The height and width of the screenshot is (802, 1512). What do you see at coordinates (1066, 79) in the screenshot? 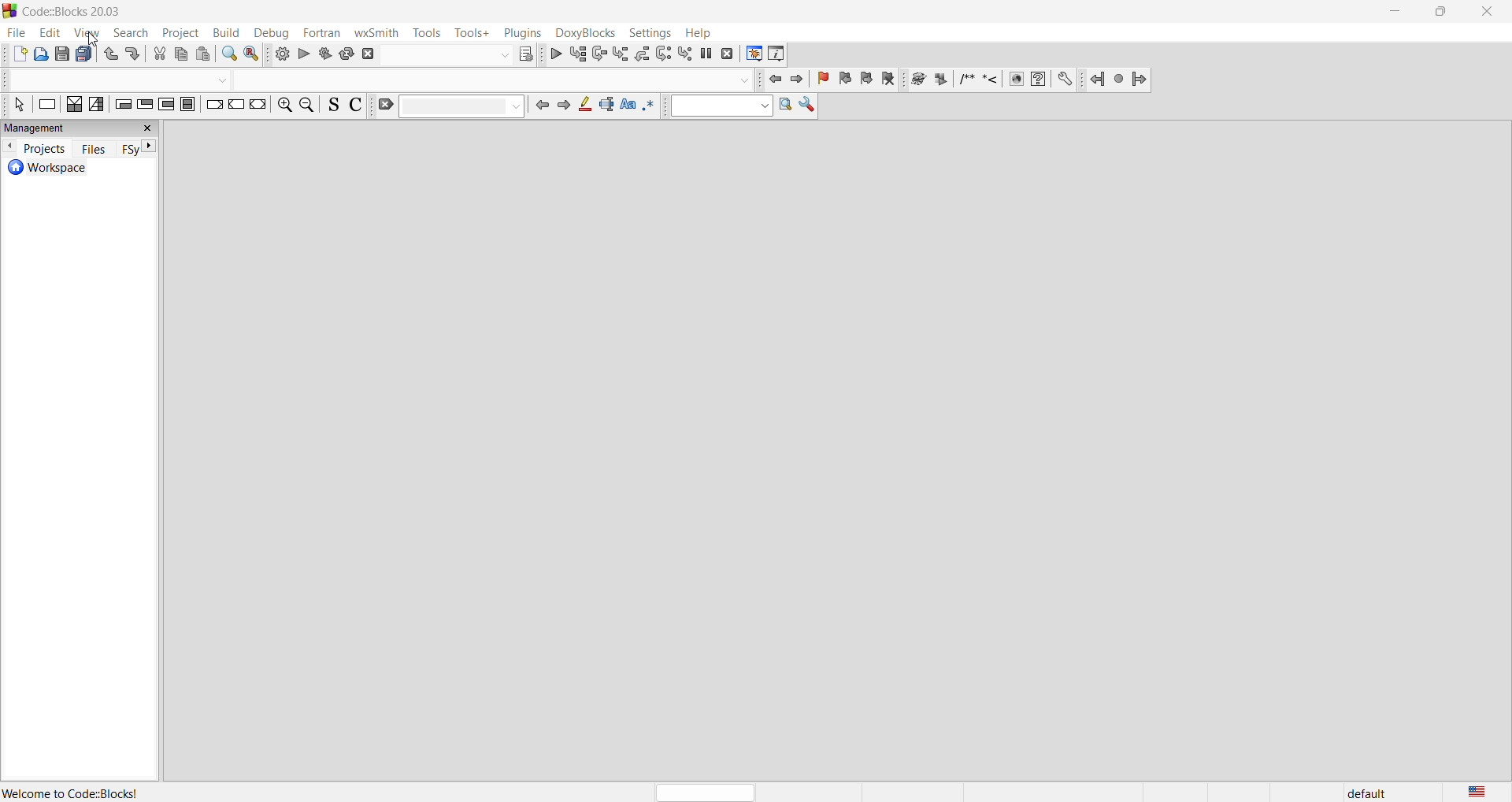
I see `Preferences` at bounding box center [1066, 79].